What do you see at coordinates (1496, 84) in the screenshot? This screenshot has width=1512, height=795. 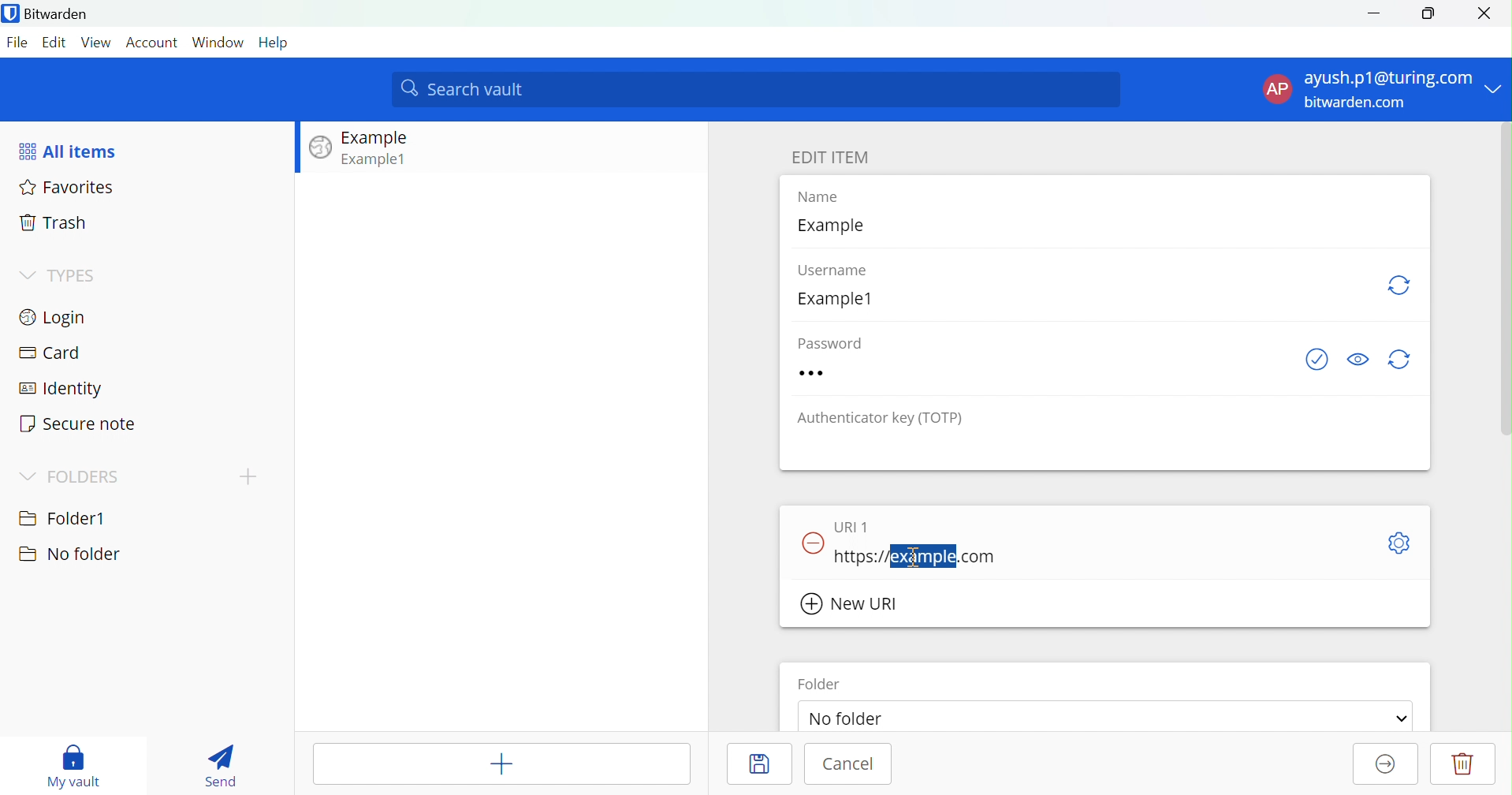 I see `Drop Down` at bounding box center [1496, 84].